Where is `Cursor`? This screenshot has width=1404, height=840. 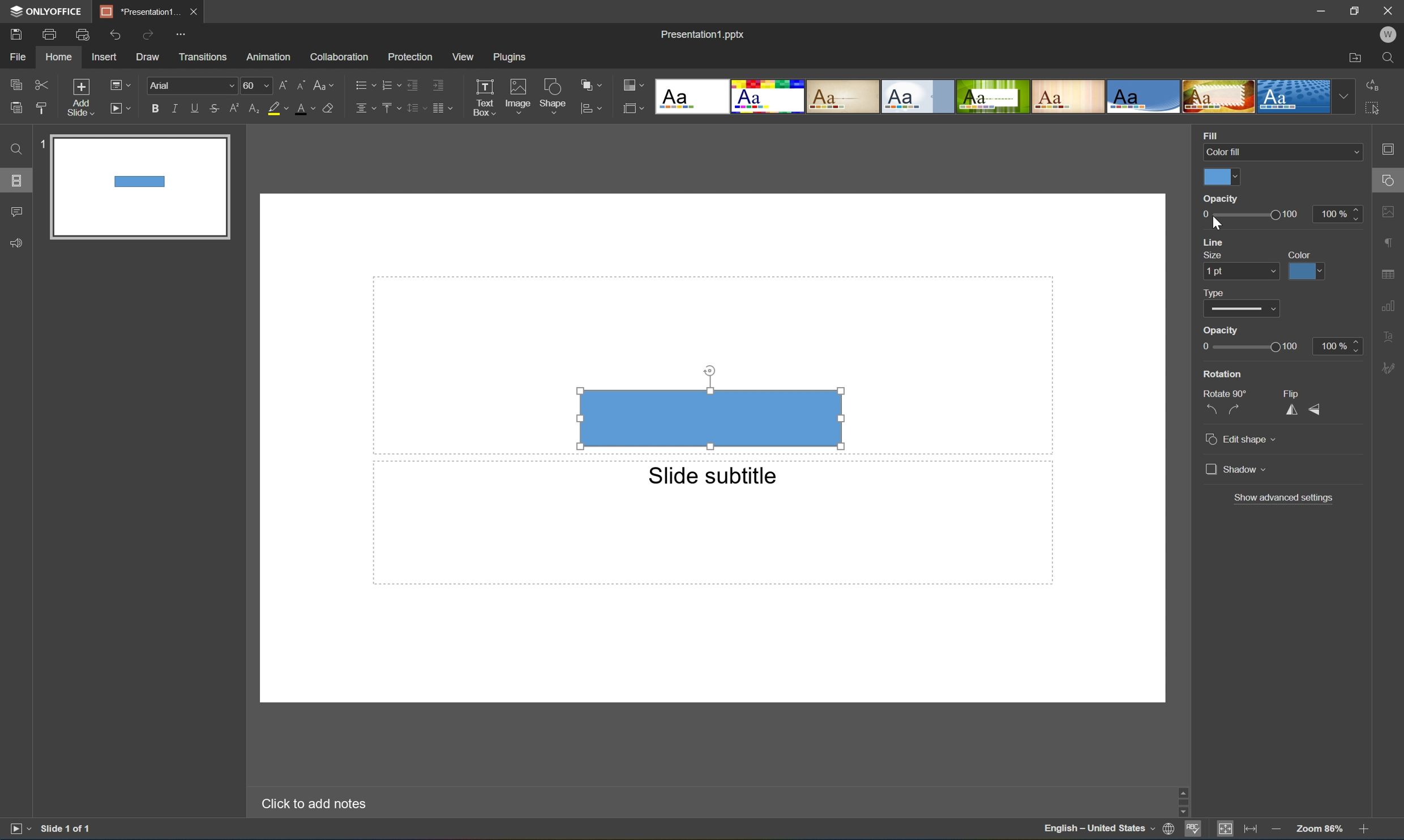 Cursor is located at coordinates (1217, 223).